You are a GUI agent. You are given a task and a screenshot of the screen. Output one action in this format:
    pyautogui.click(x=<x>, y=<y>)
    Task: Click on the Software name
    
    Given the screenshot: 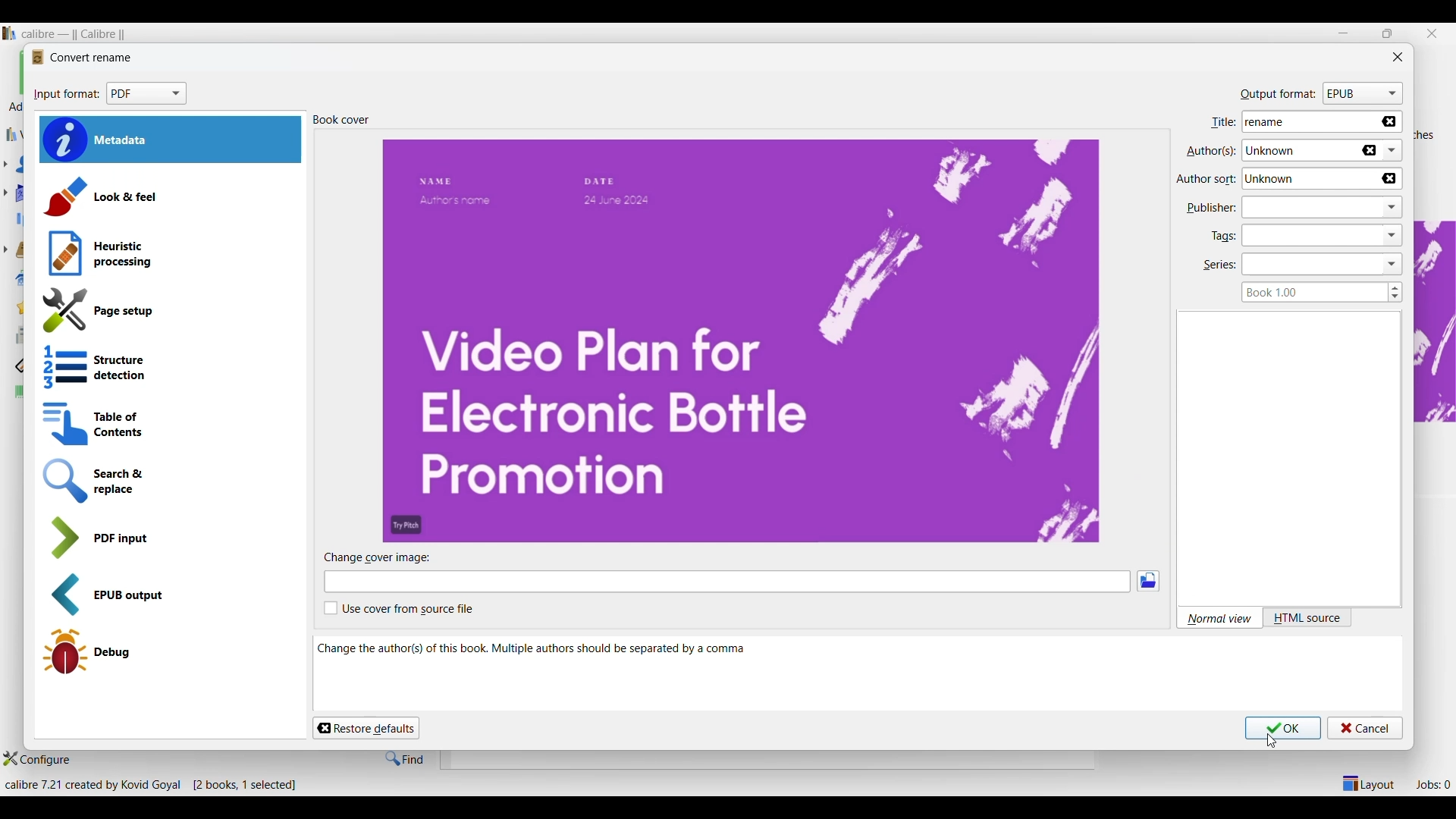 What is the action you would take?
    pyautogui.click(x=77, y=36)
    